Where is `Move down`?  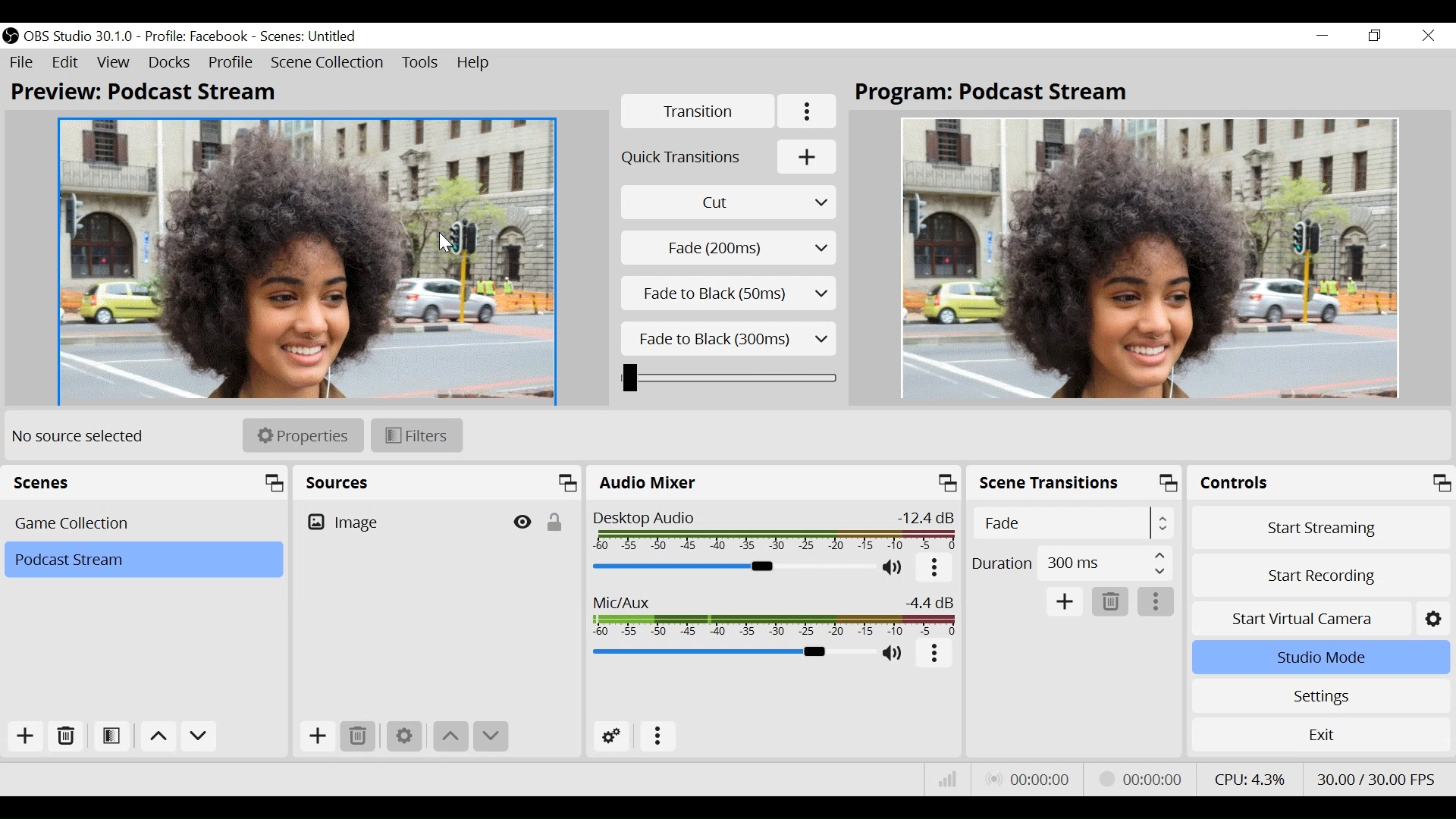 Move down is located at coordinates (202, 736).